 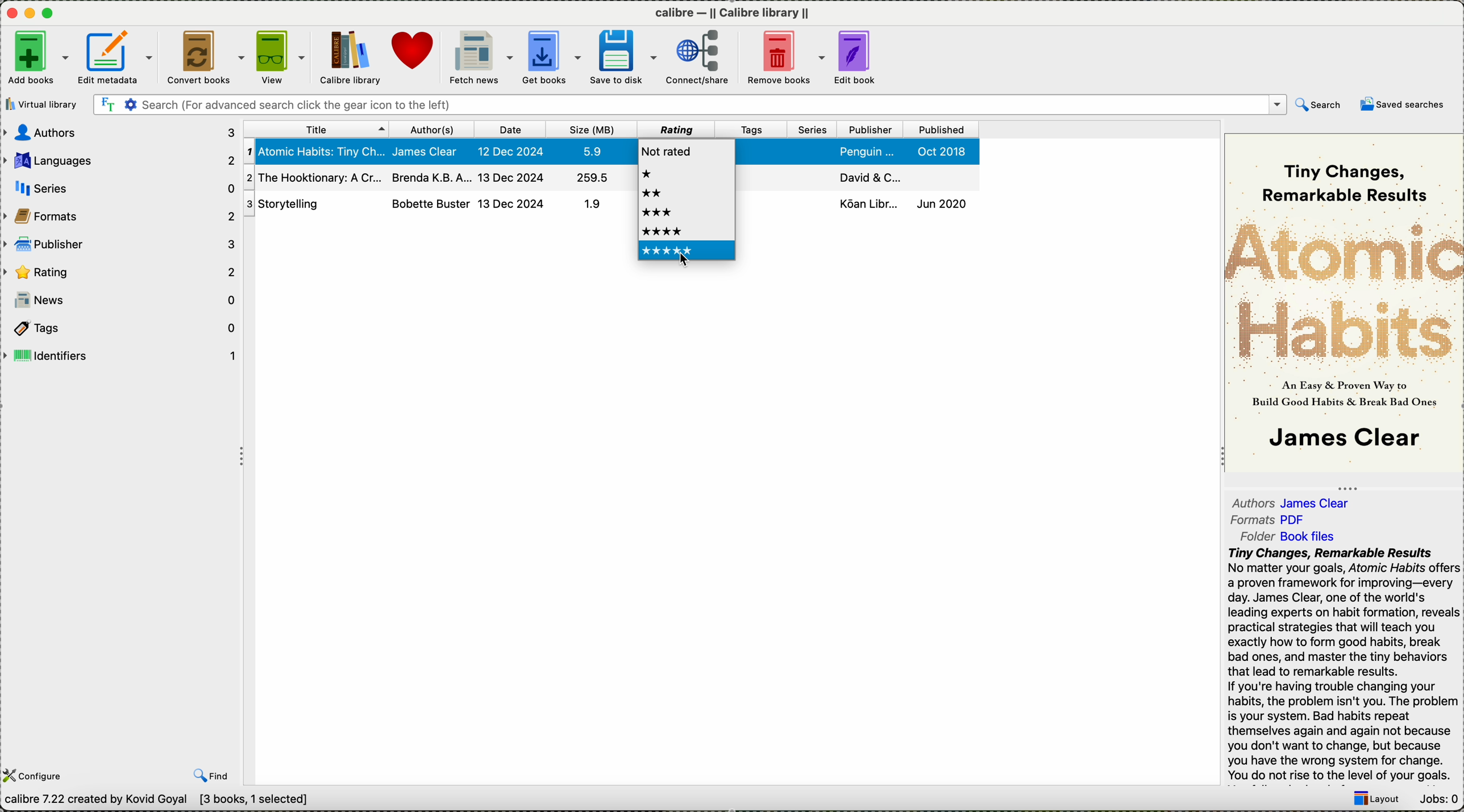 What do you see at coordinates (122, 162) in the screenshot?
I see `languages` at bounding box center [122, 162].